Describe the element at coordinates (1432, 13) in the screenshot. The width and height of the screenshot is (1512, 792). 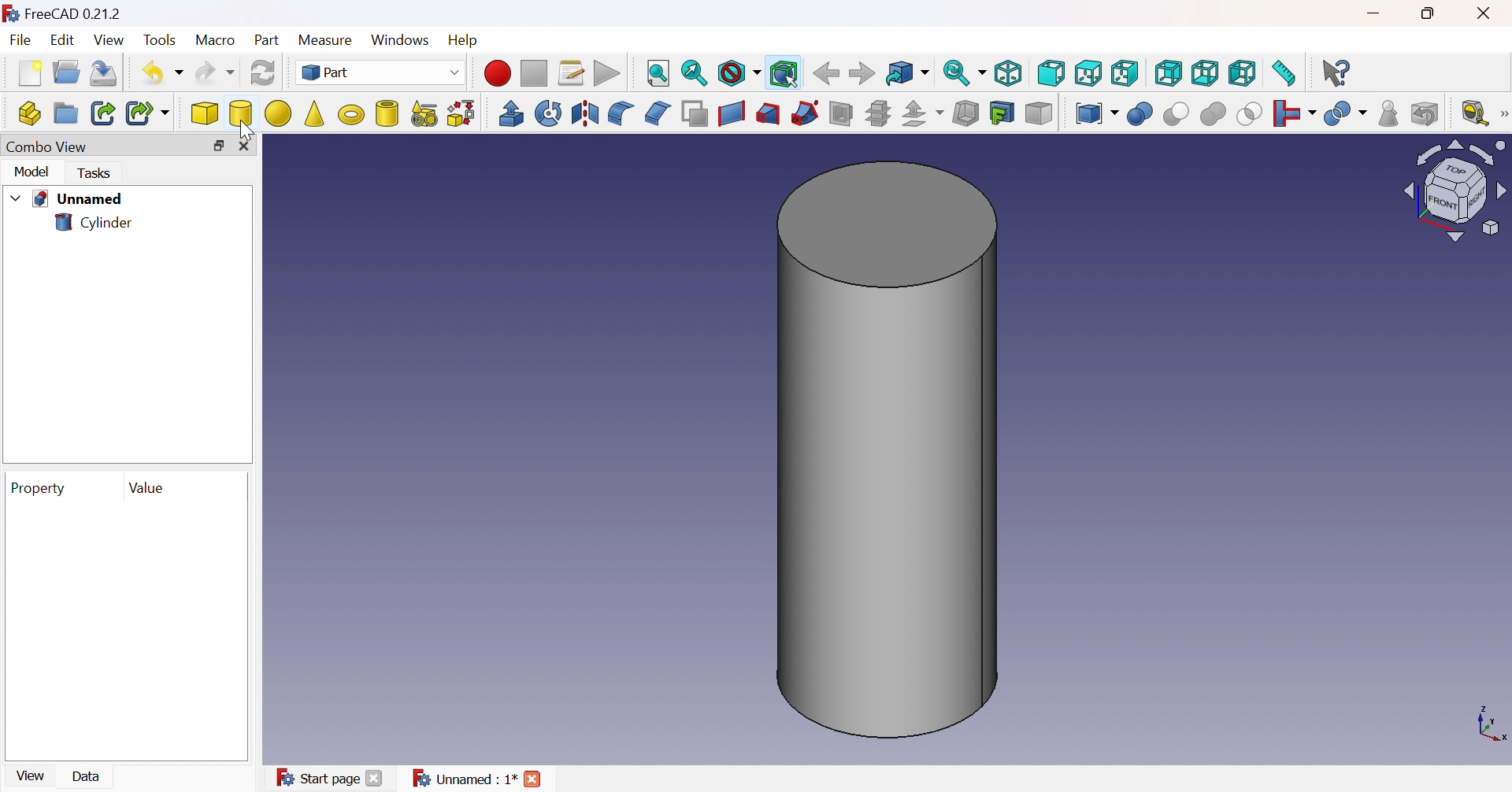
I see `Restore down` at that location.